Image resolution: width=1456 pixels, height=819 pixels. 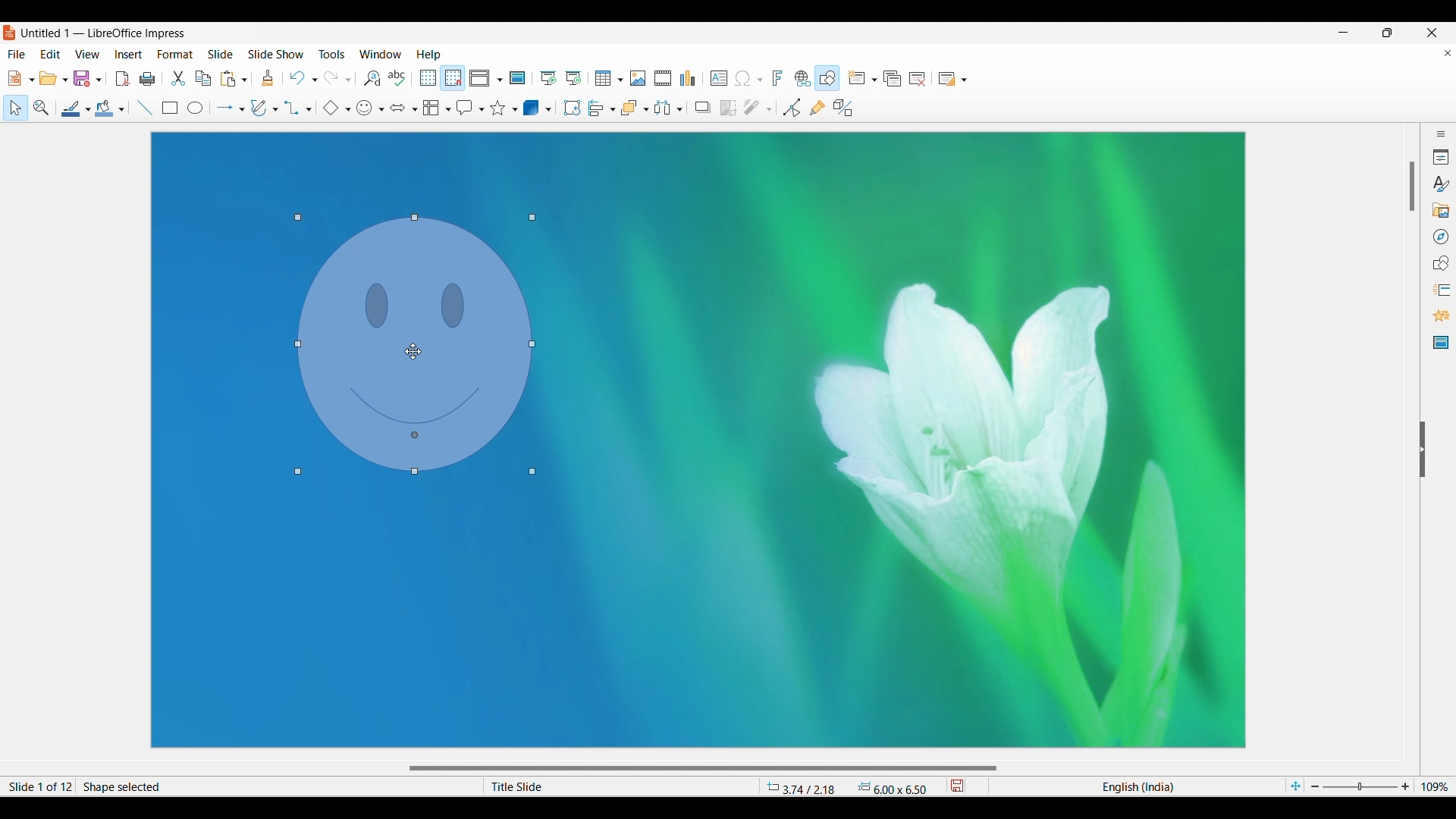 I want to click on Navigator, so click(x=1442, y=237).